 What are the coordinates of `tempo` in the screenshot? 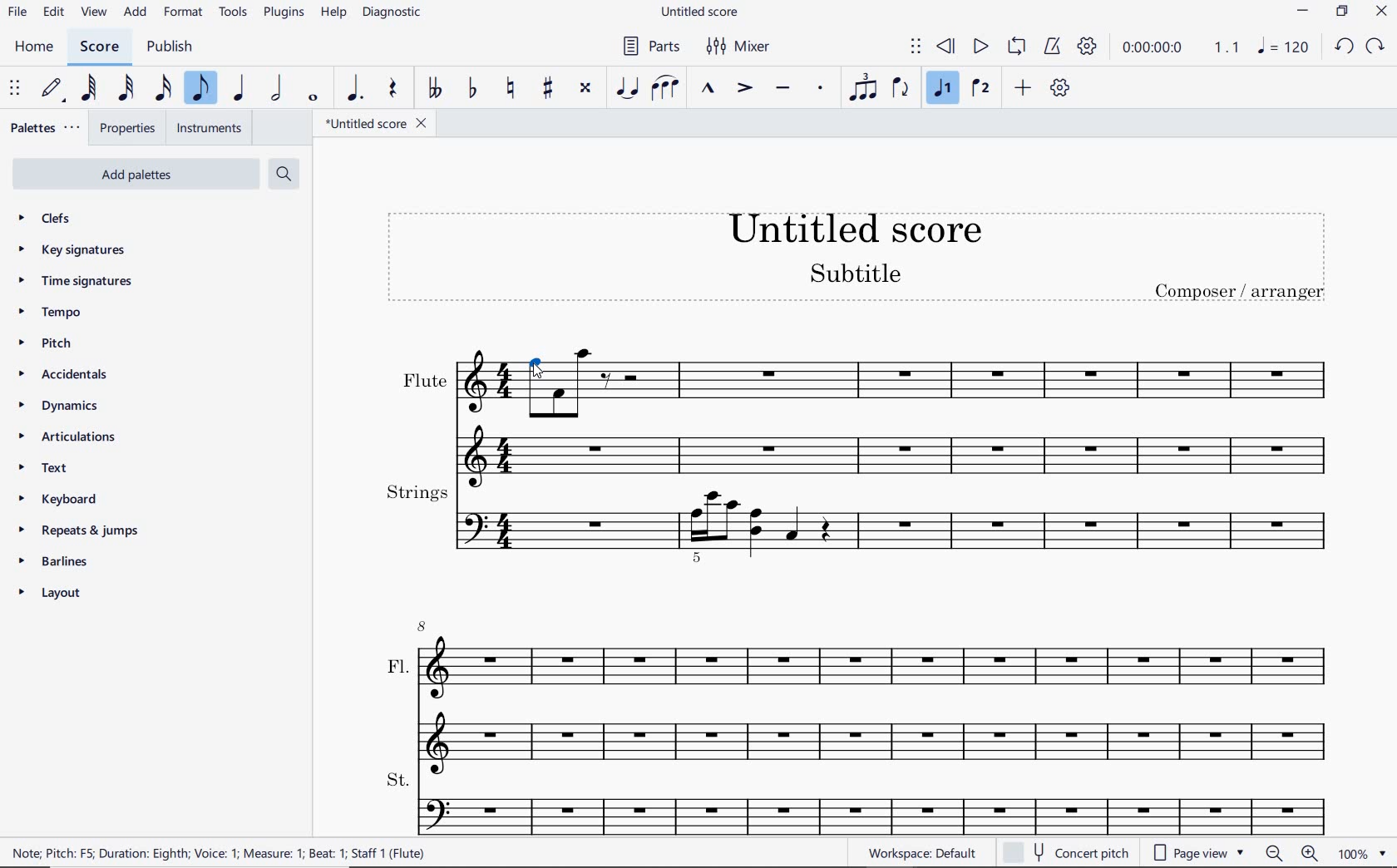 It's located at (51, 312).